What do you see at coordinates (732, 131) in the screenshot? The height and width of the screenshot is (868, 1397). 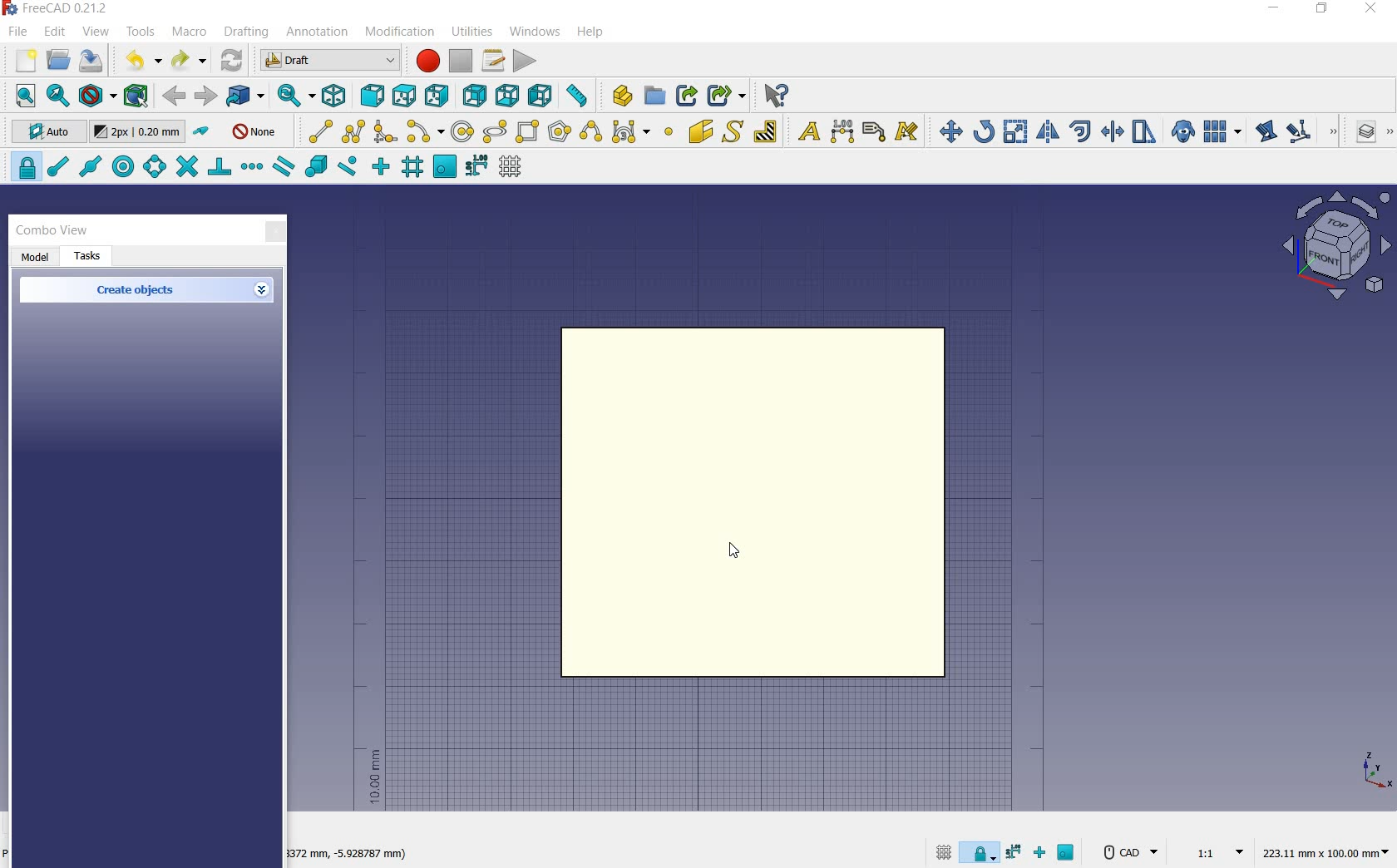 I see `shape from text` at bounding box center [732, 131].